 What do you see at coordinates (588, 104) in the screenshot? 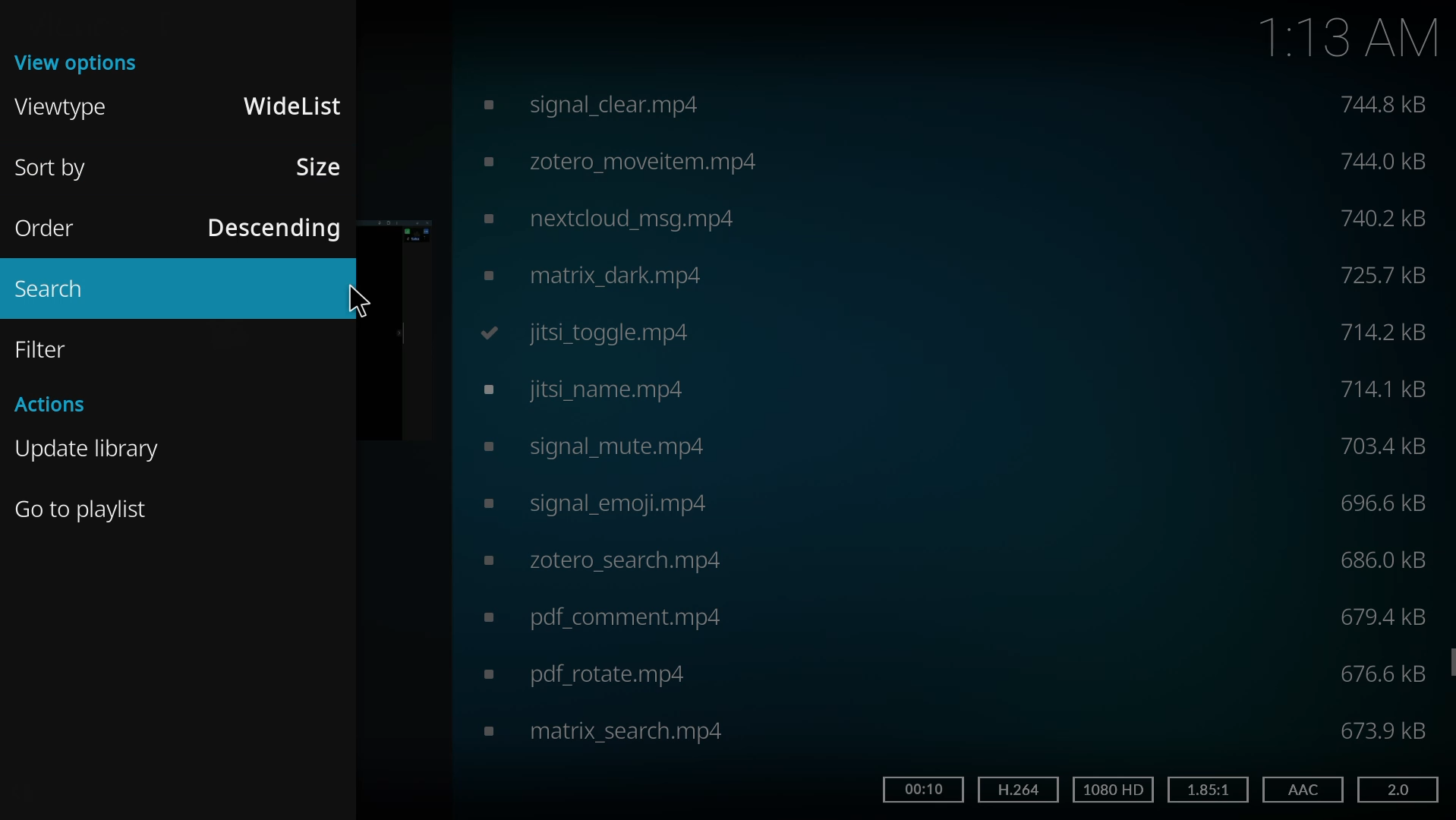
I see `video` at bounding box center [588, 104].